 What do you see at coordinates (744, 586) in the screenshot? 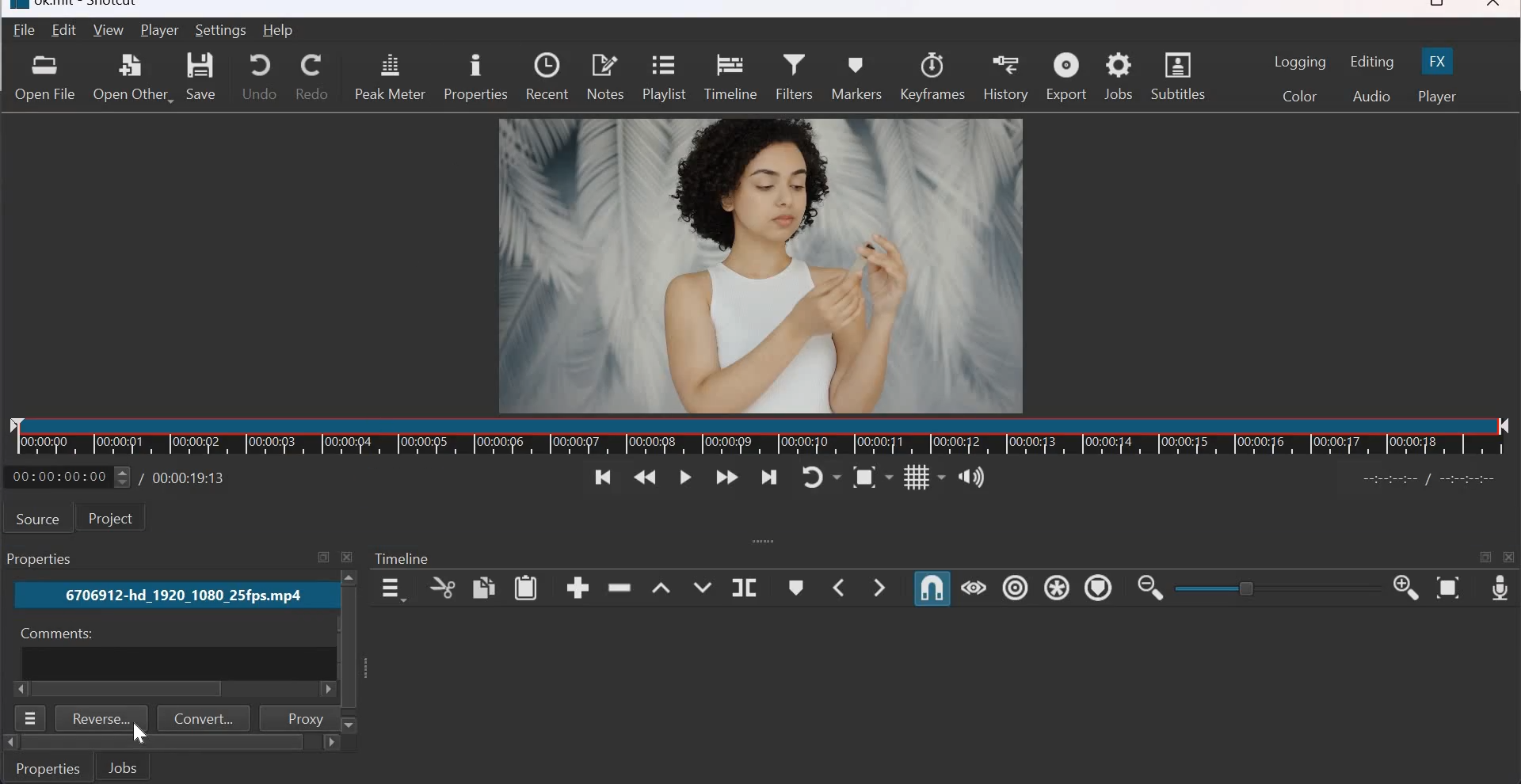
I see `Split at playhead` at bounding box center [744, 586].